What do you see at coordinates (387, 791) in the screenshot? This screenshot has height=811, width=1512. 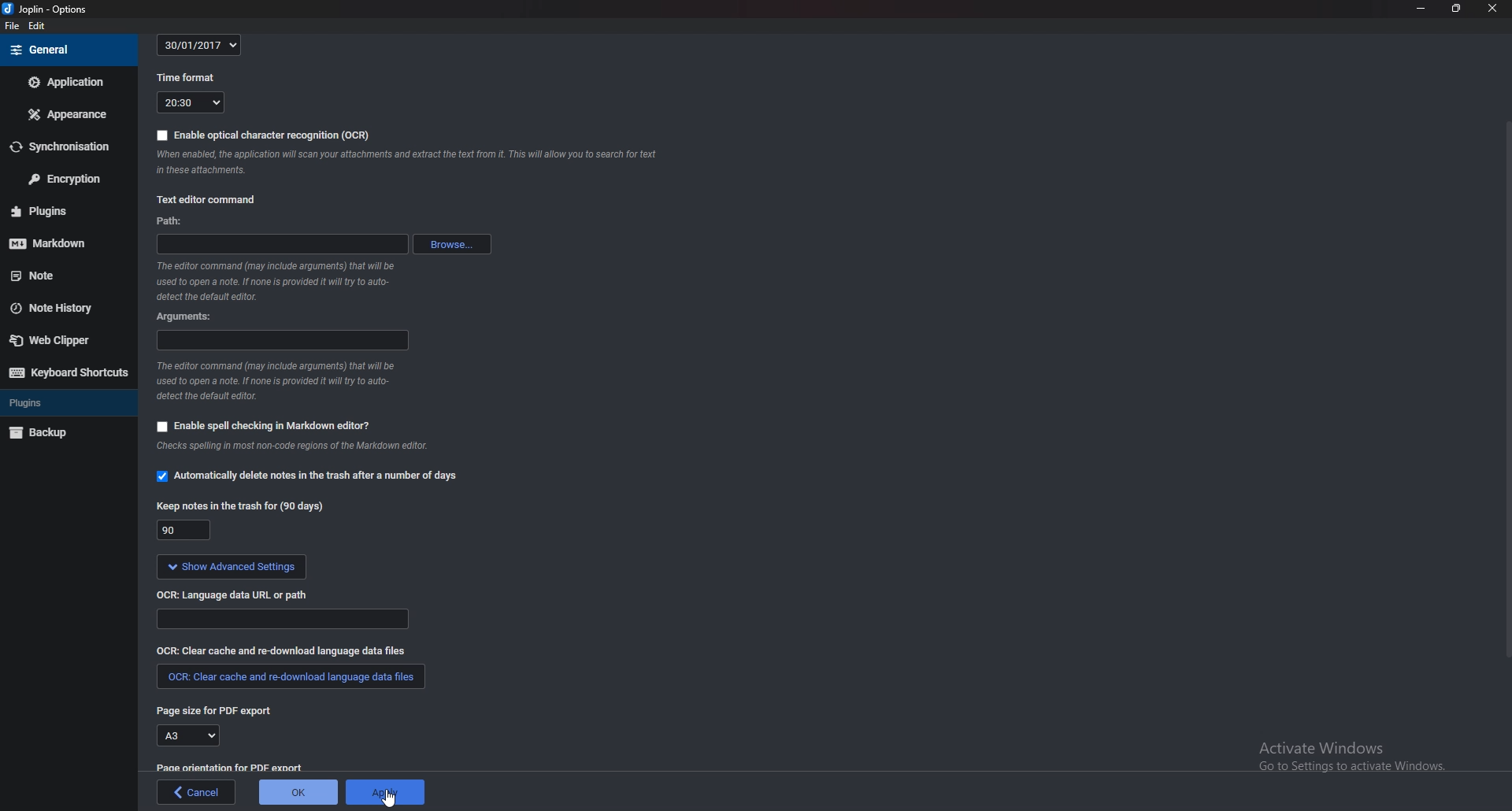 I see `Apply` at bounding box center [387, 791].